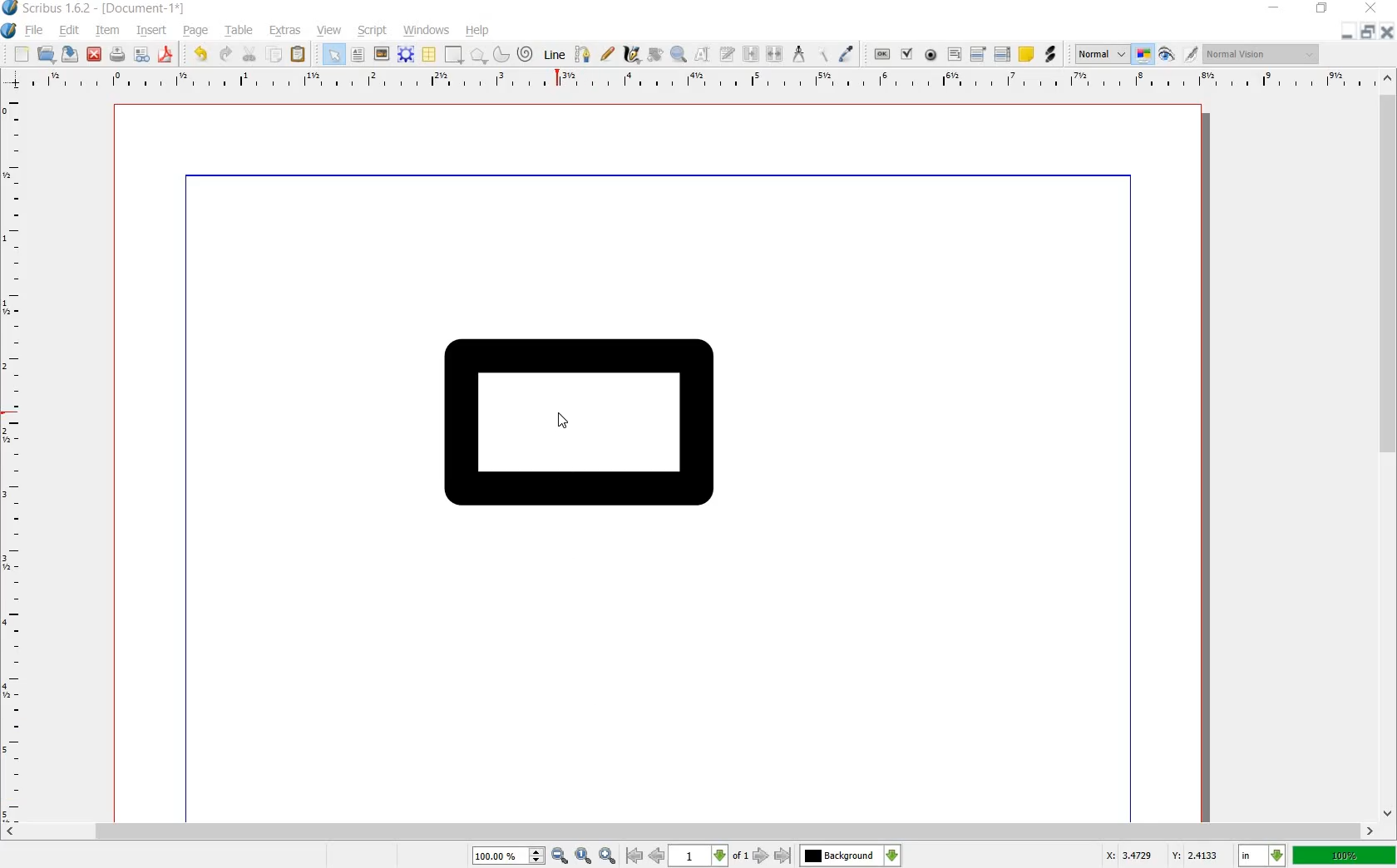 The width and height of the screenshot is (1397, 868). What do you see at coordinates (201, 53) in the screenshot?
I see `undo` at bounding box center [201, 53].